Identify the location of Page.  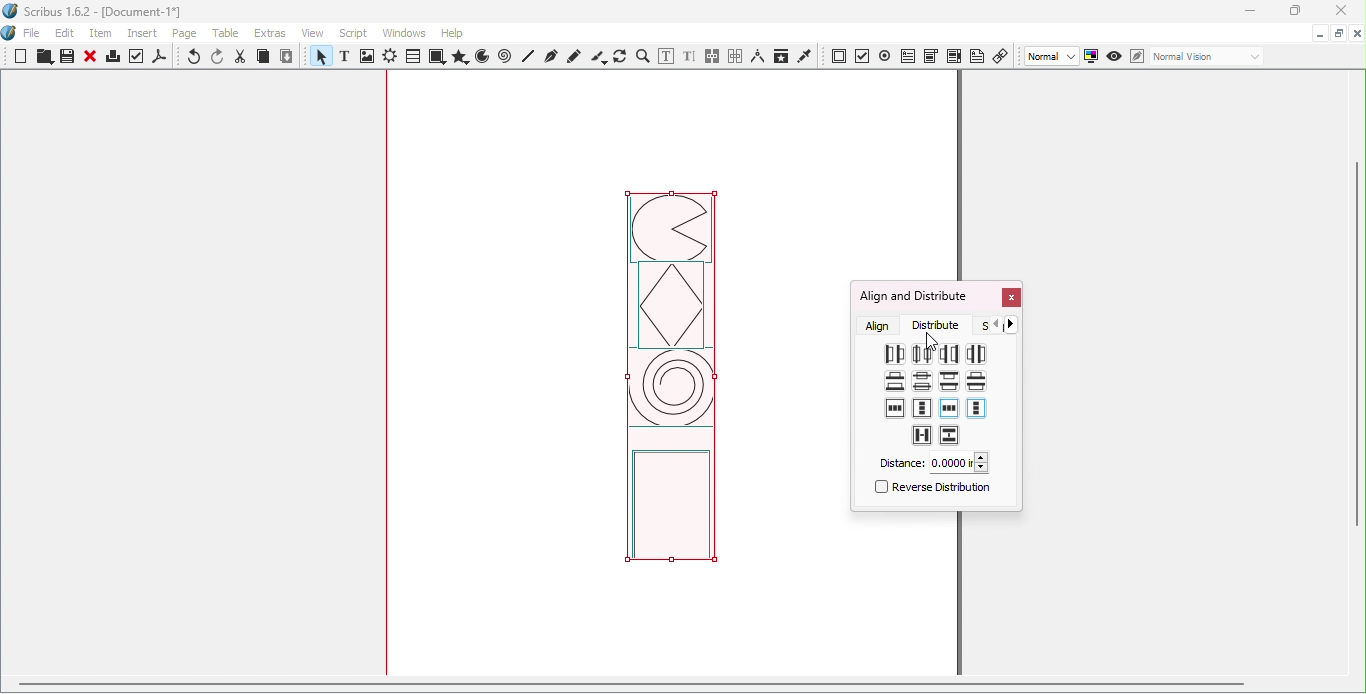
(188, 35).